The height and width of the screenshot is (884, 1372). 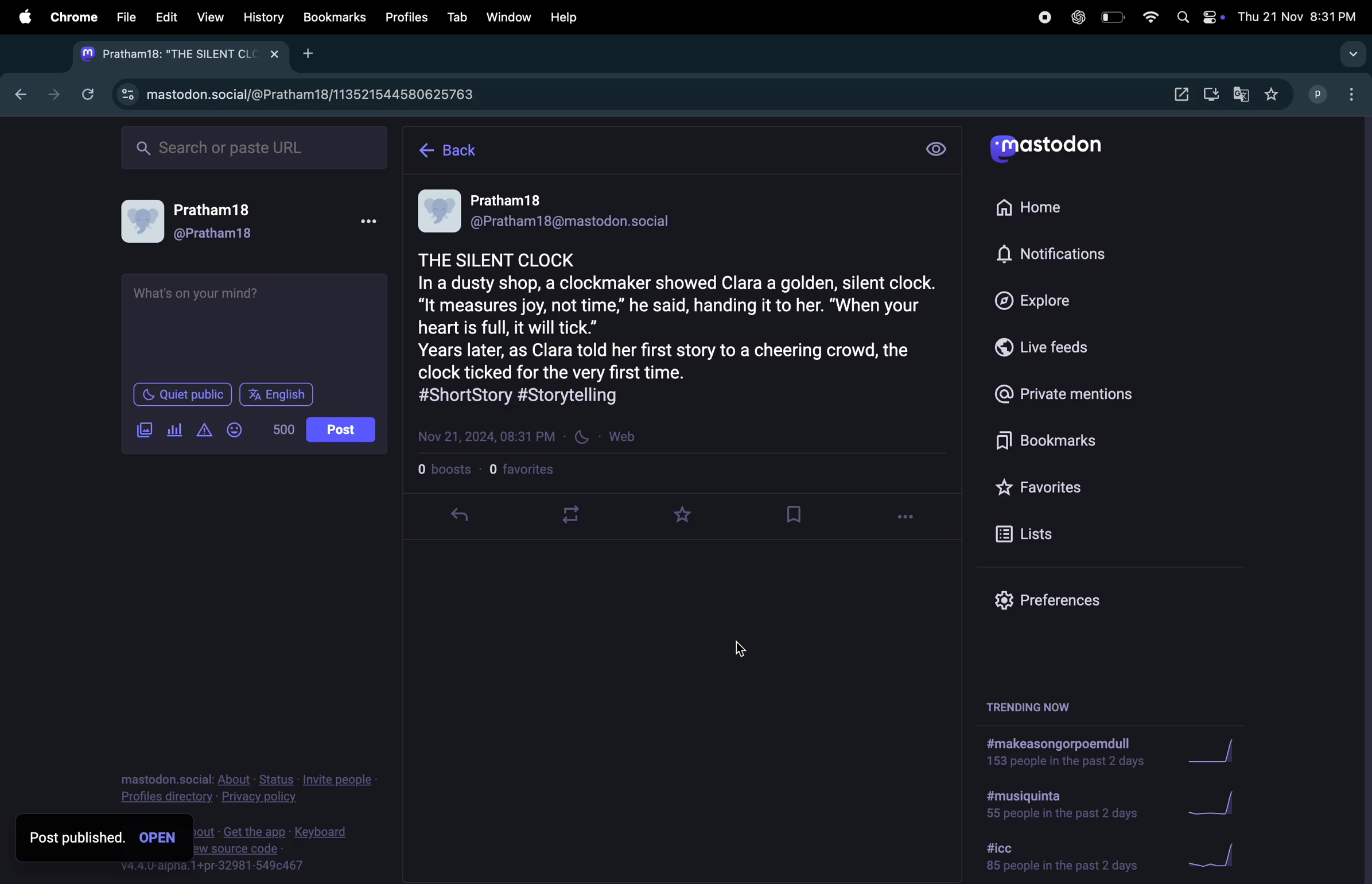 I want to click on private mentions, so click(x=1061, y=396).